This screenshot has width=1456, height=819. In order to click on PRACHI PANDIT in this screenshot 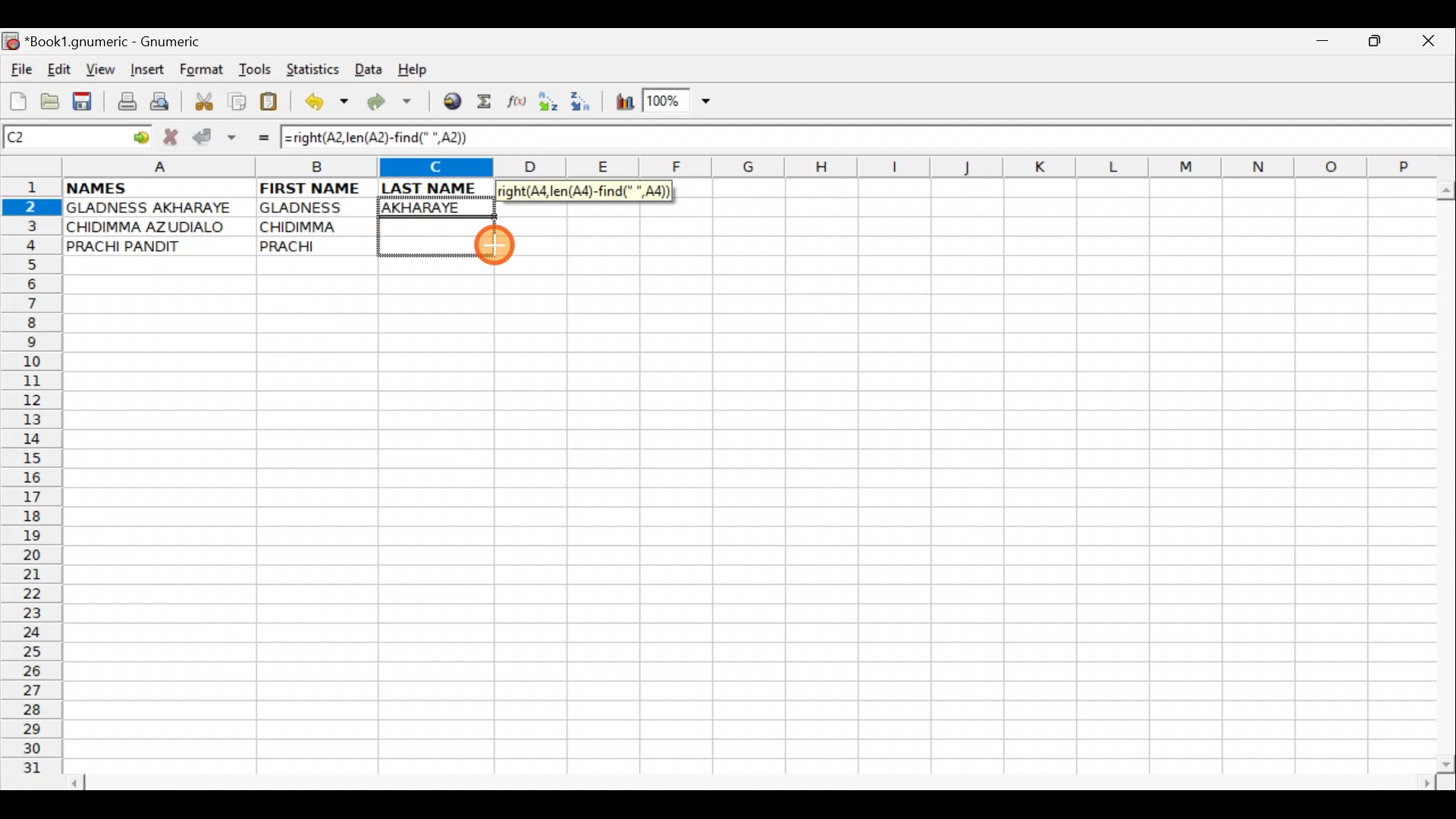, I will do `click(149, 246)`.